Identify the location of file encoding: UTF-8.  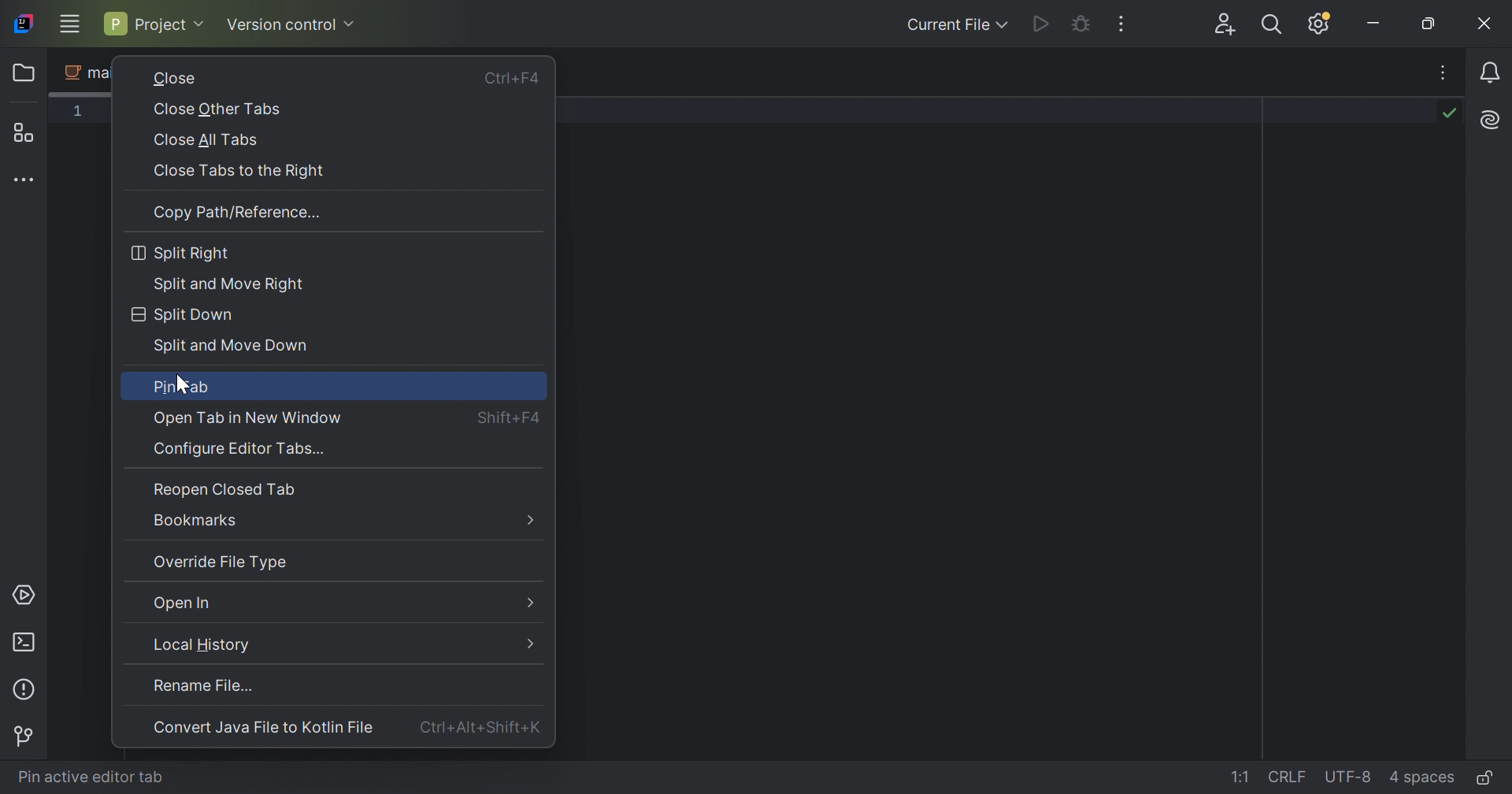
(1346, 777).